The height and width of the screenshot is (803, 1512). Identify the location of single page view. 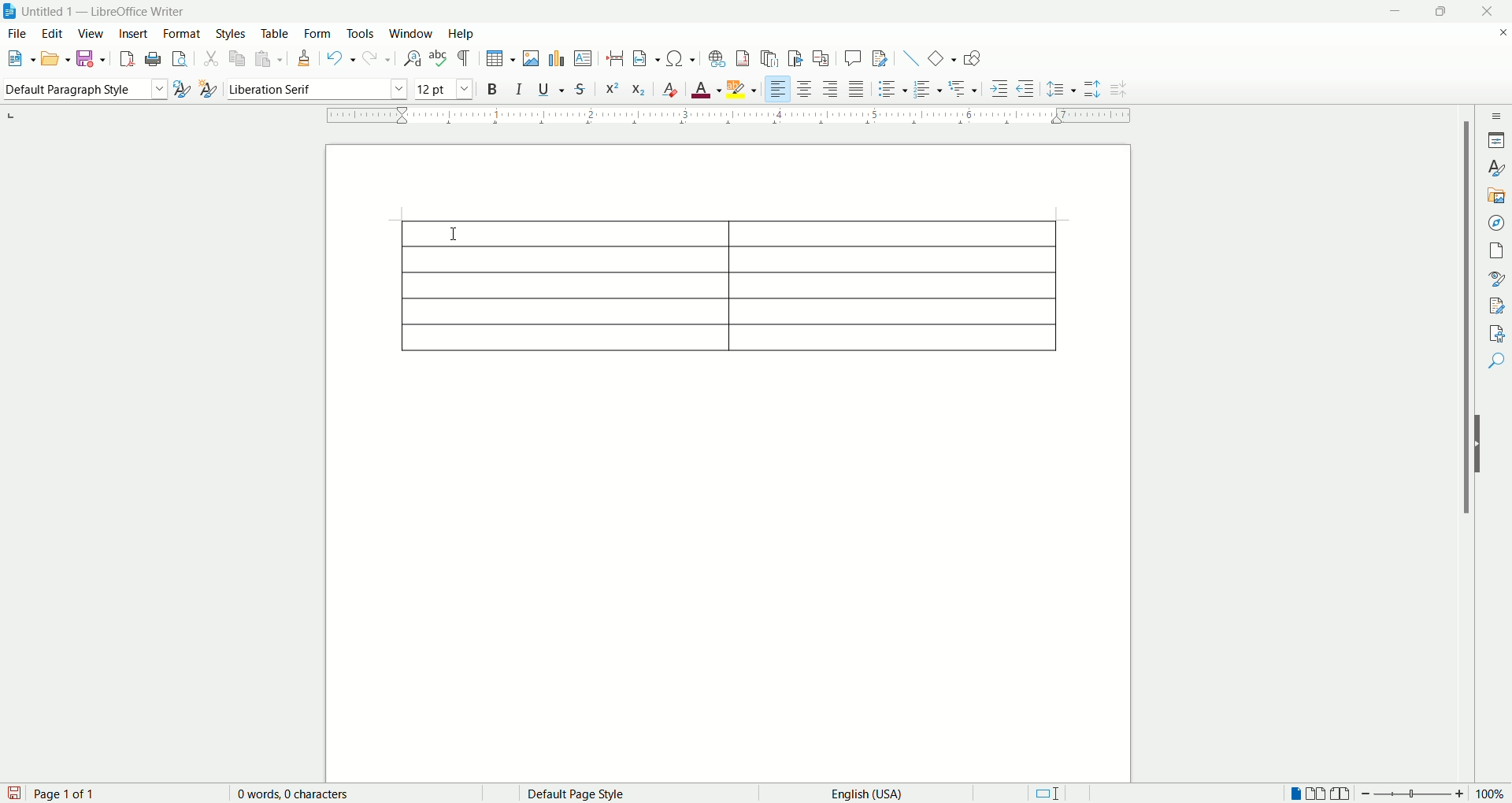
(1294, 794).